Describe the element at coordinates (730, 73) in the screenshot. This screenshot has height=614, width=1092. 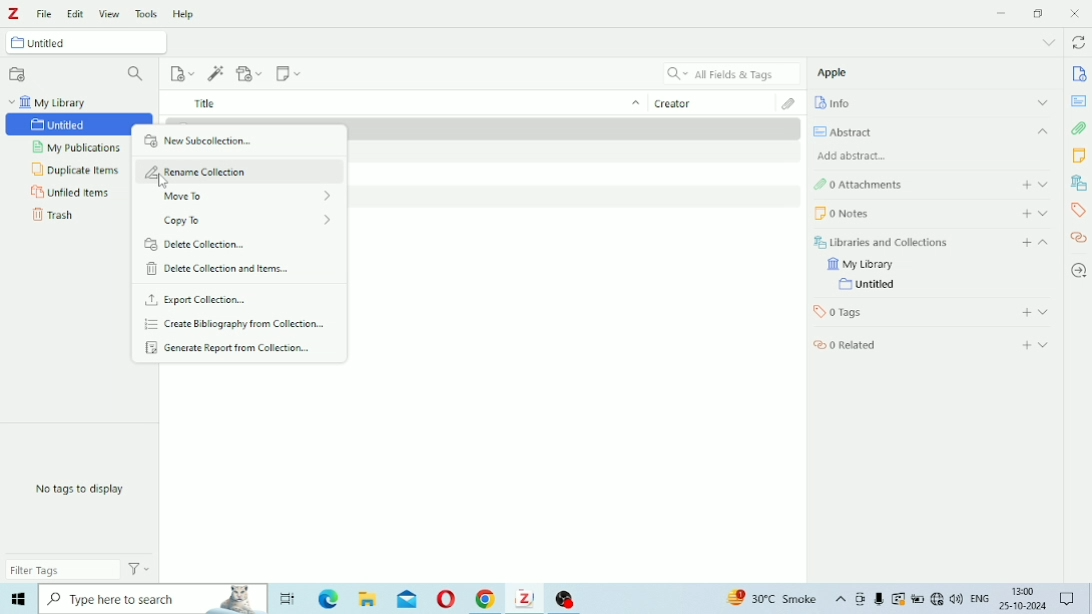
I see `All Fields & Tags` at that location.